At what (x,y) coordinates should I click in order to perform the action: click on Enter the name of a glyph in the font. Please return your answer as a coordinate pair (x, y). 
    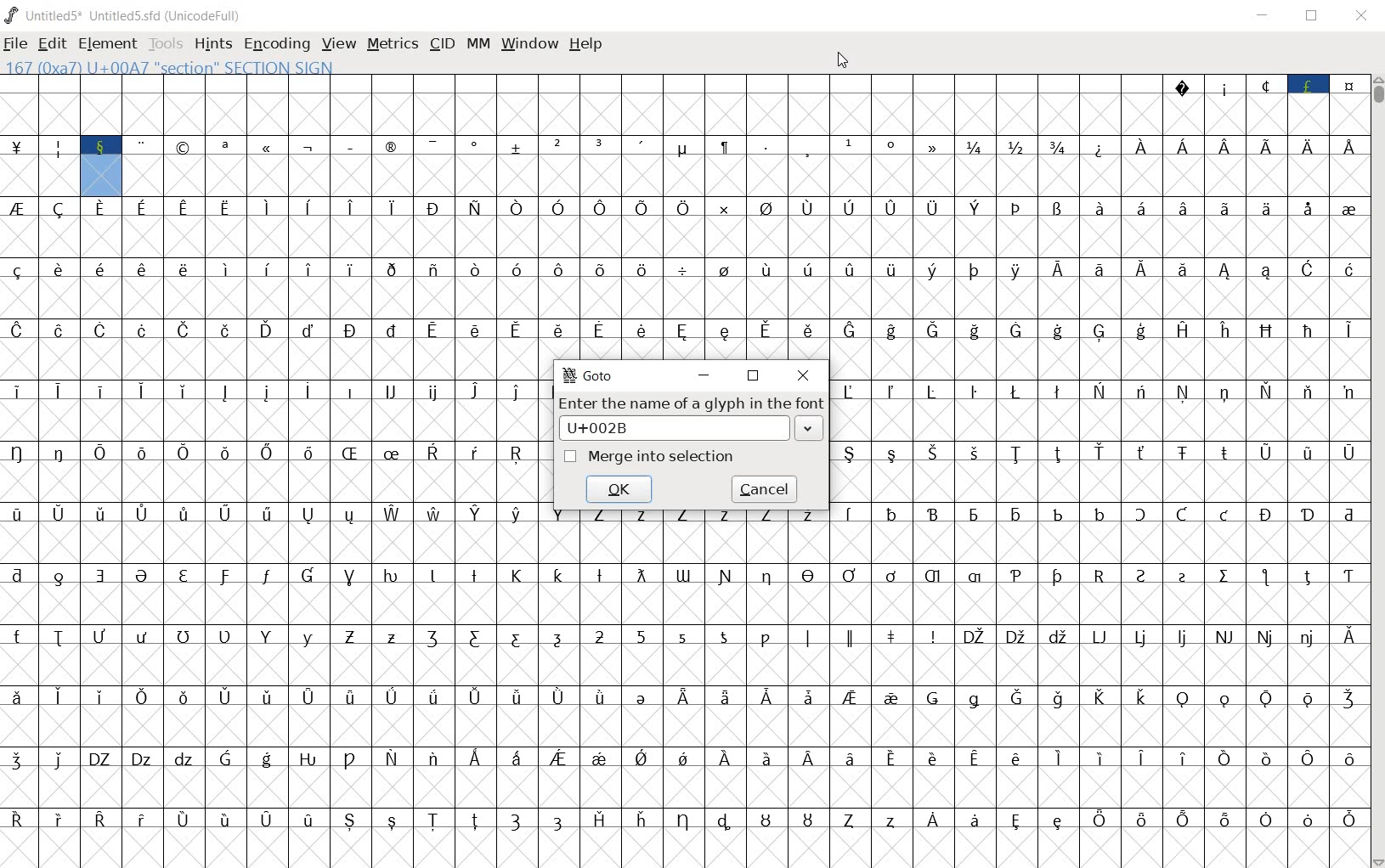
    Looking at the image, I should click on (693, 418).